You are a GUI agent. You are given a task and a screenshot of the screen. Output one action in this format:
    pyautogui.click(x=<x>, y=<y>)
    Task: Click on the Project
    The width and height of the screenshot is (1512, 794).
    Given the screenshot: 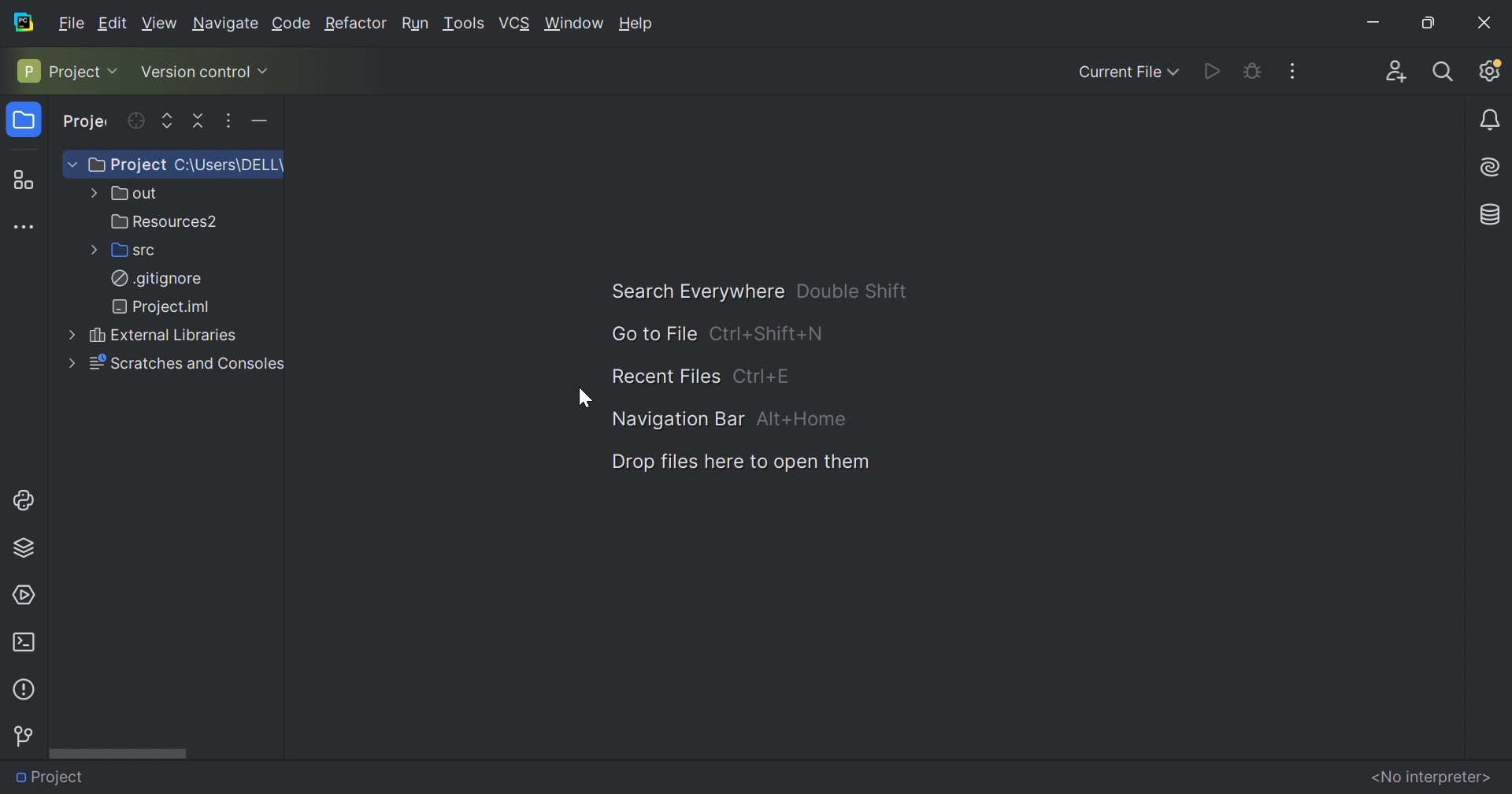 What is the action you would take?
    pyautogui.click(x=57, y=70)
    